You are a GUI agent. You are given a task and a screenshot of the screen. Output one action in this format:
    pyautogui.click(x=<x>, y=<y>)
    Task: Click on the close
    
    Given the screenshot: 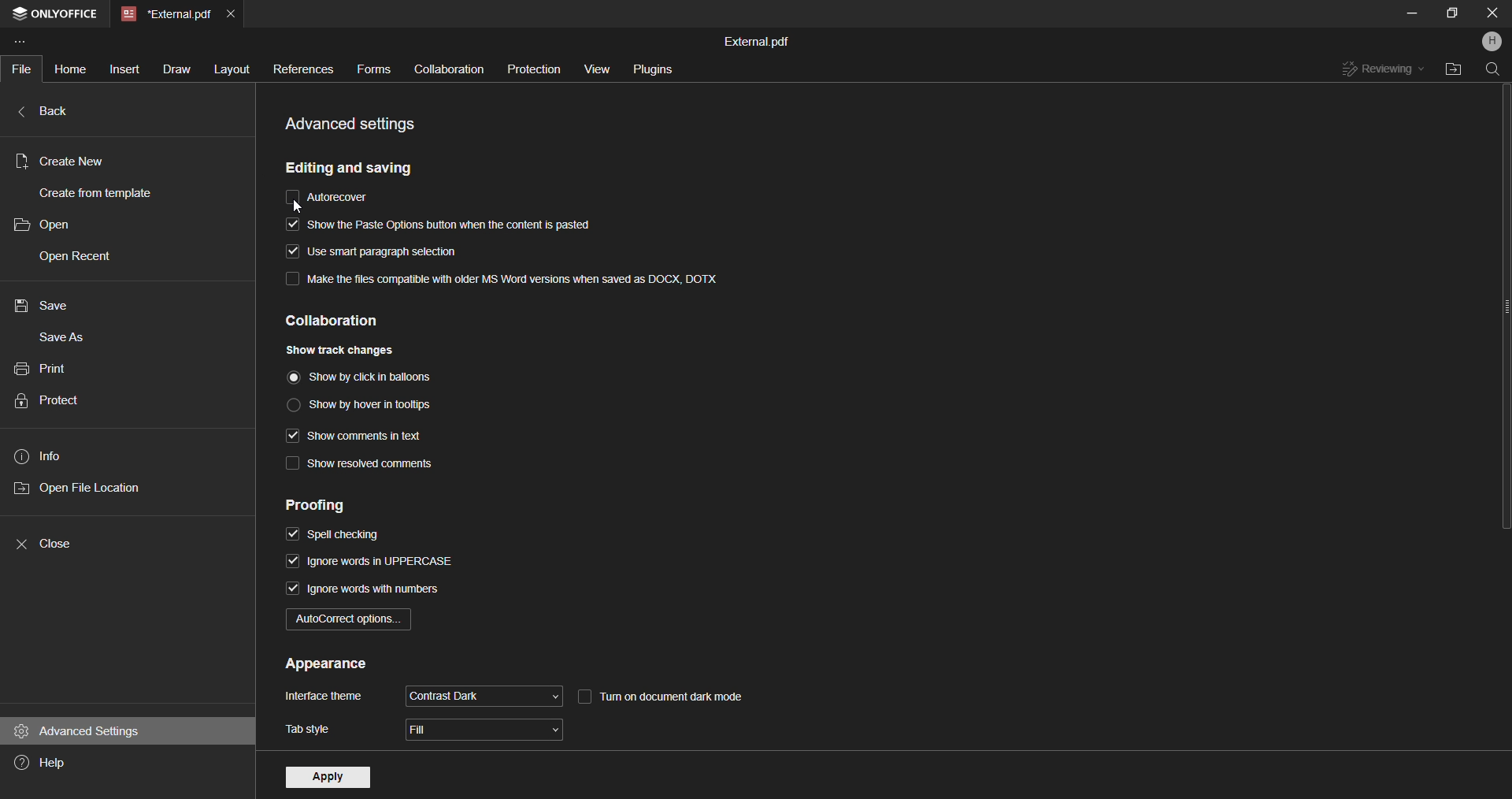 What is the action you would take?
    pyautogui.click(x=57, y=541)
    